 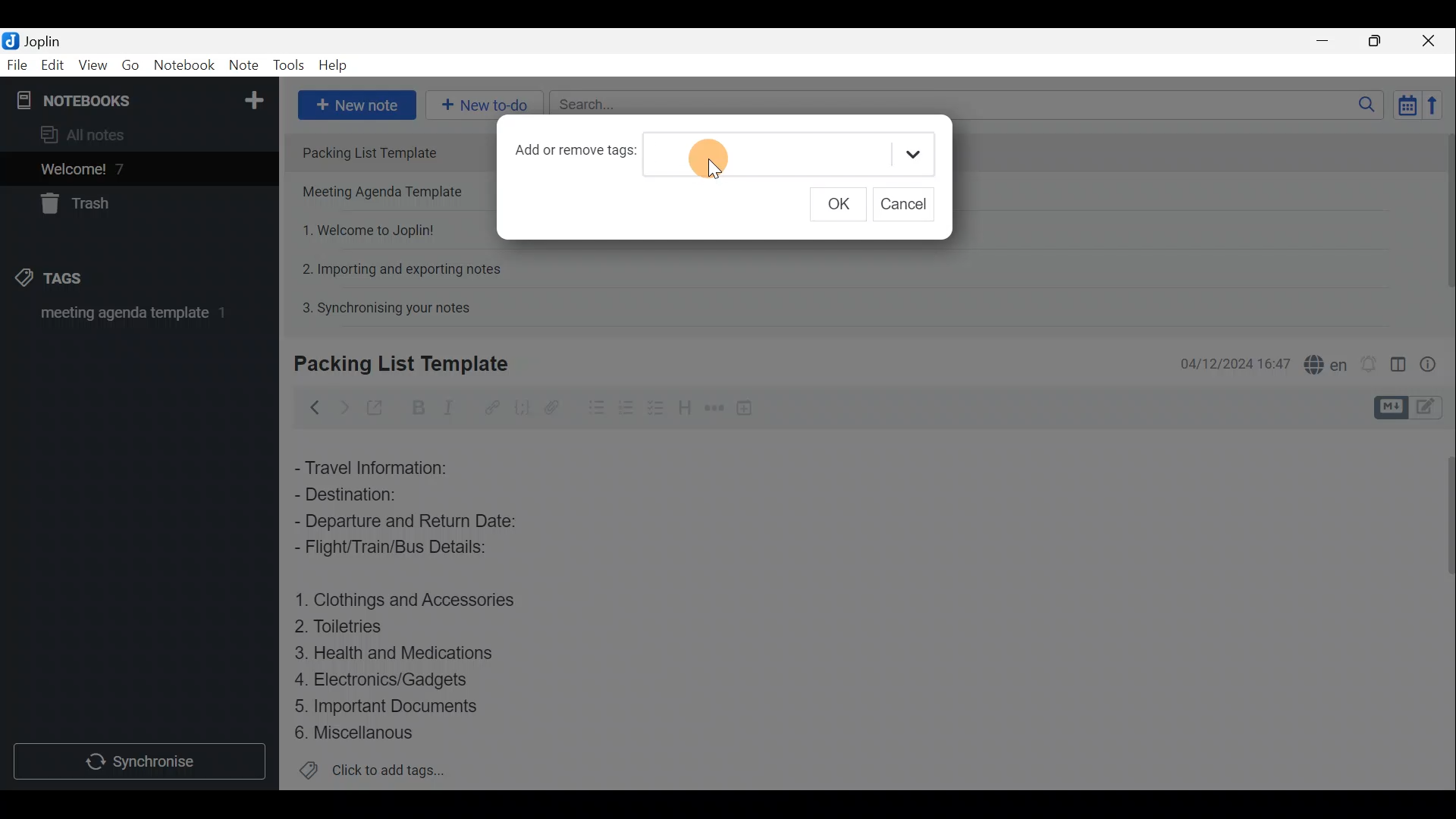 What do you see at coordinates (116, 168) in the screenshot?
I see `Welcome` at bounding box center [116, 168].